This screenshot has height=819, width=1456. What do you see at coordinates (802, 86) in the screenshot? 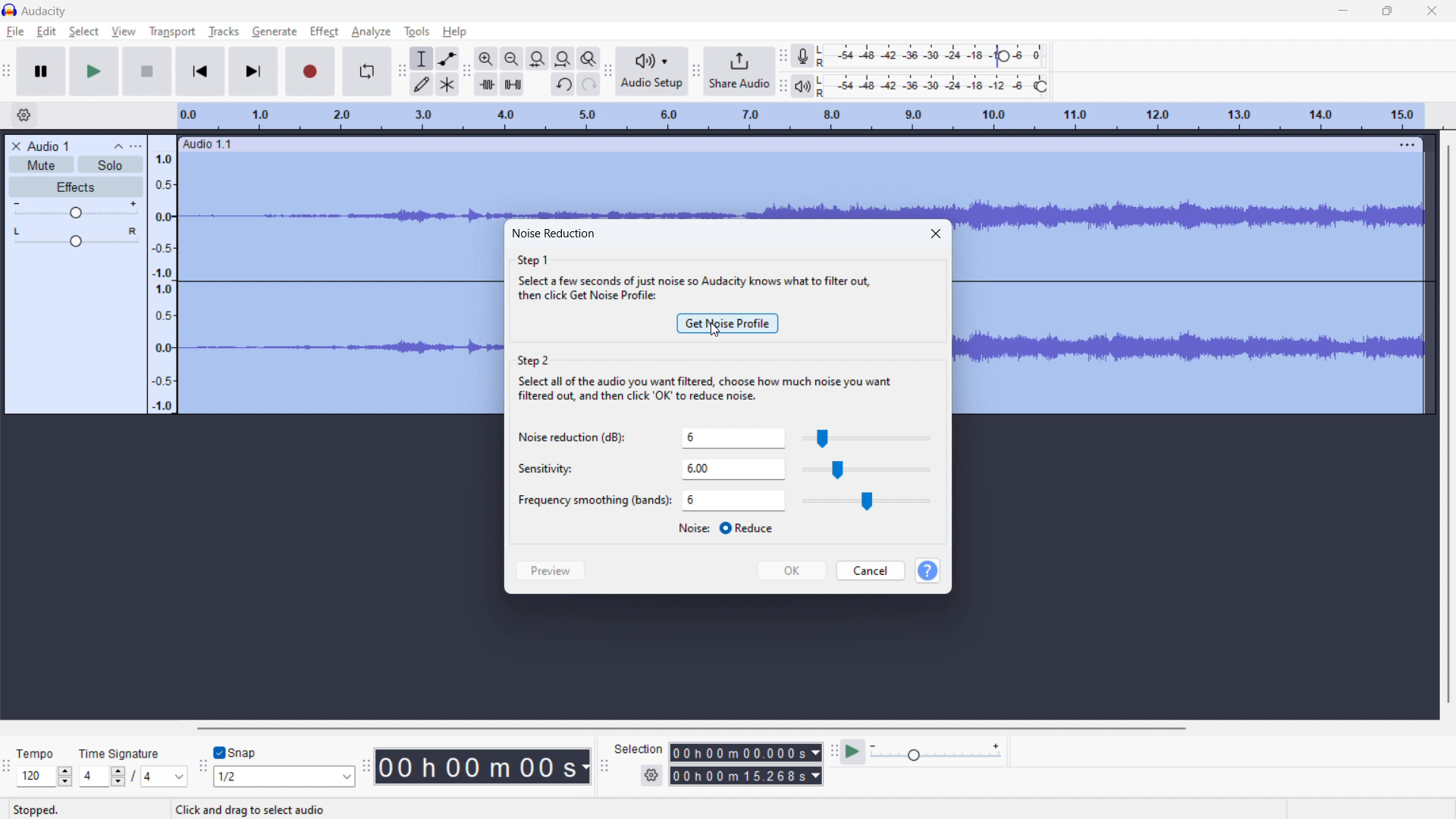
I see `playback meter` at bounding box center [802, 86].